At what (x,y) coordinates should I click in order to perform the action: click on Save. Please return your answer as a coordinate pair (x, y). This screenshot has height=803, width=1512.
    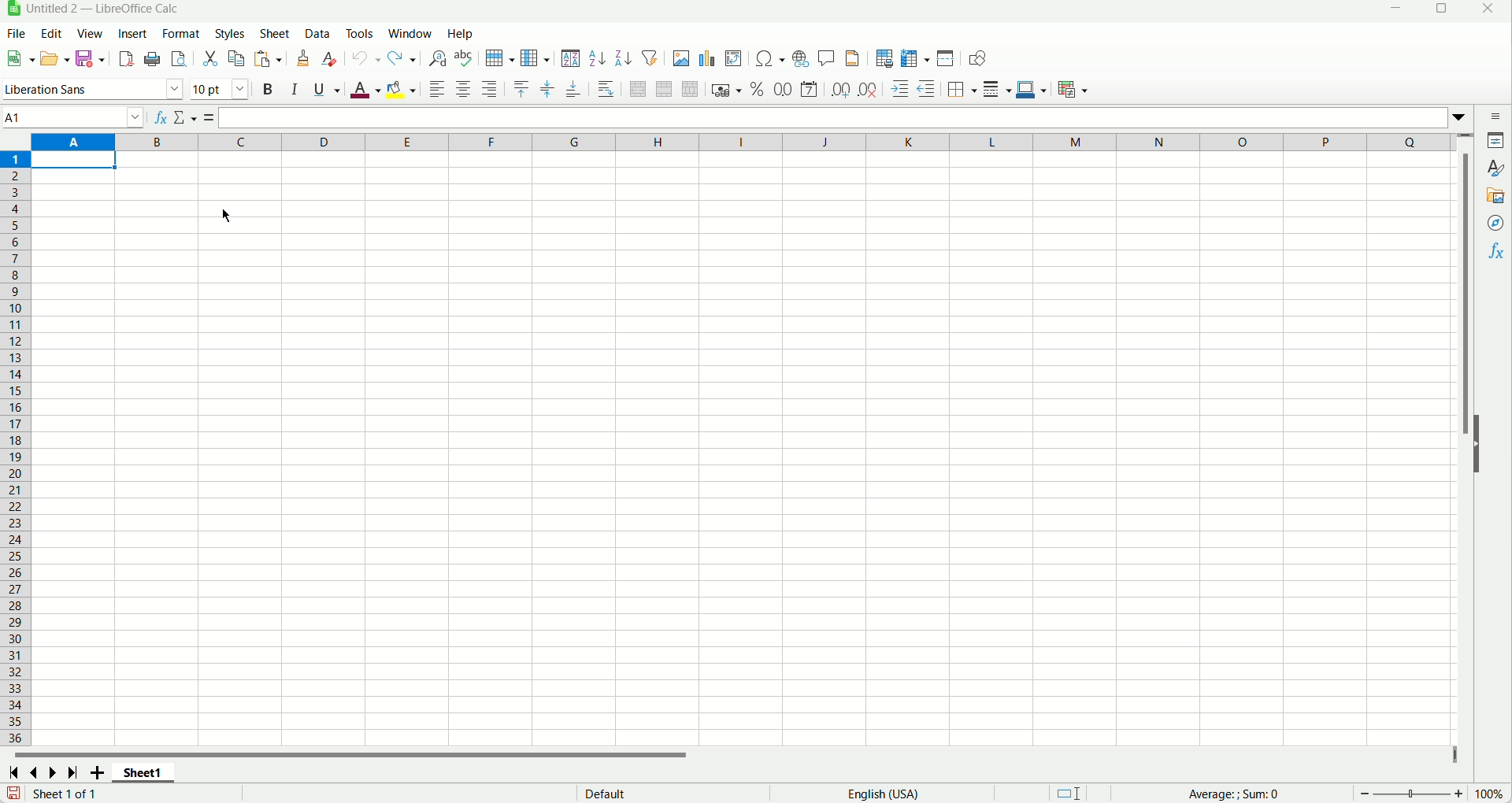
    Looking at the image, I should click on (89, 59).